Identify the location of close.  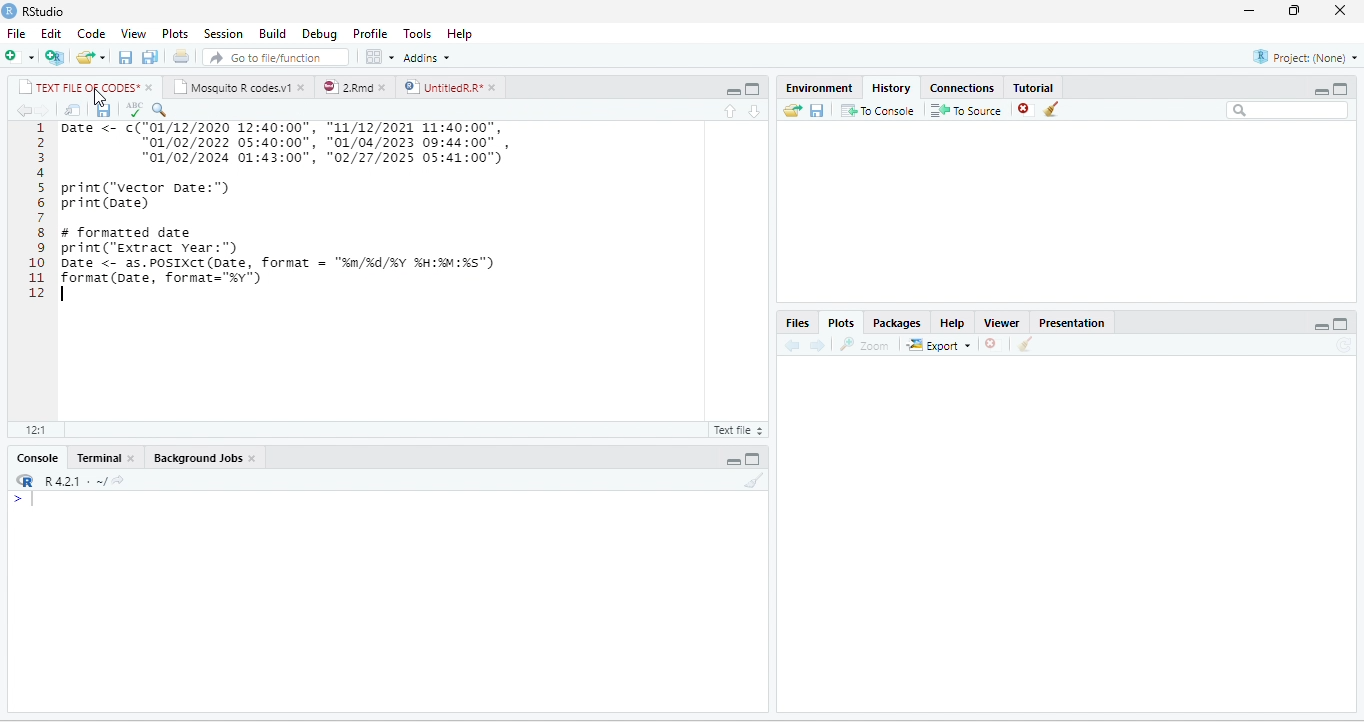
(303, 87).